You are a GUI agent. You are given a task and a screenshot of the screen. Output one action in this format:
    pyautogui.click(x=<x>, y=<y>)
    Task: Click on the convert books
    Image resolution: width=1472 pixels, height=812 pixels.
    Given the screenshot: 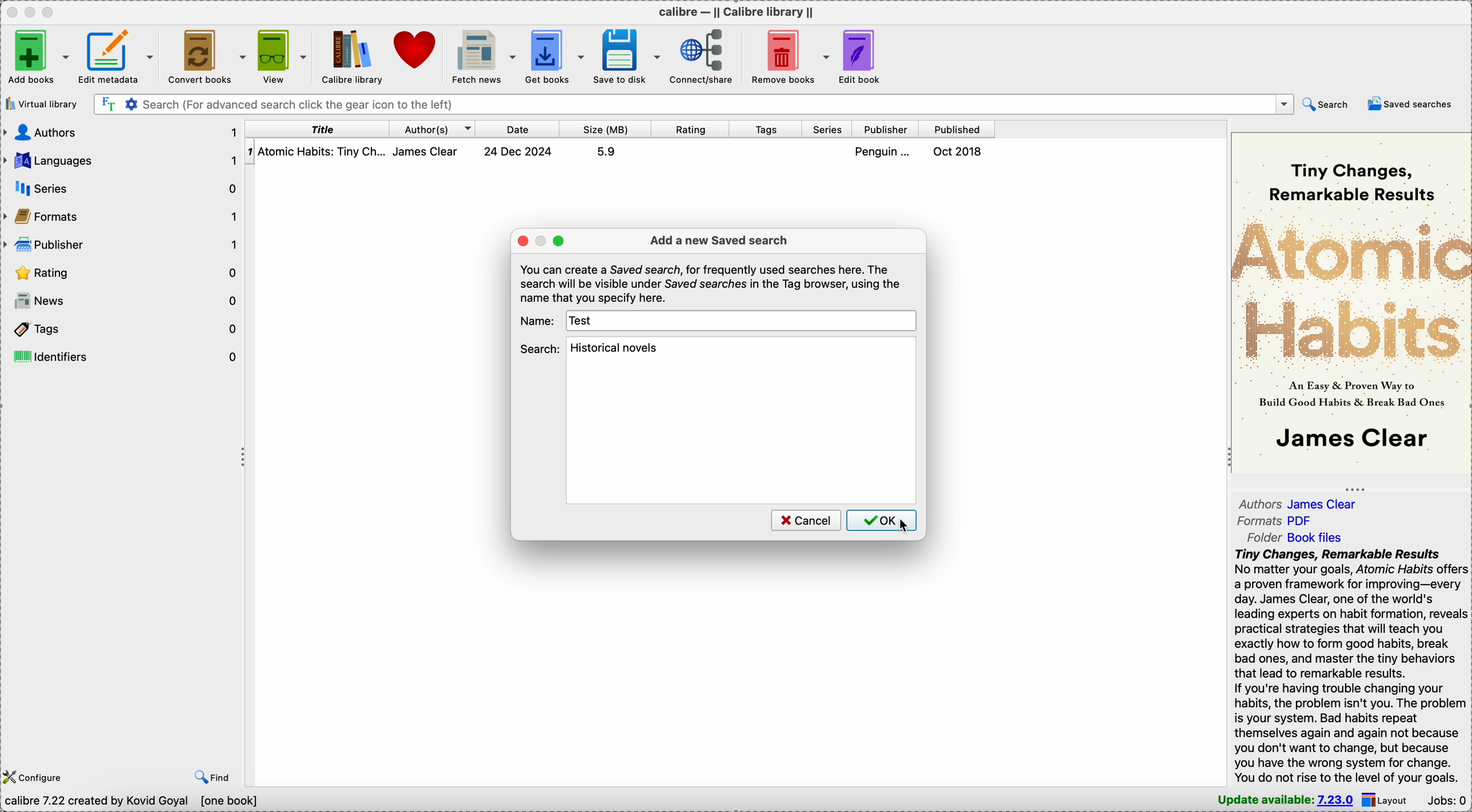 What is the action you would take?
    pyautogui.click(x=205, y=55)
    